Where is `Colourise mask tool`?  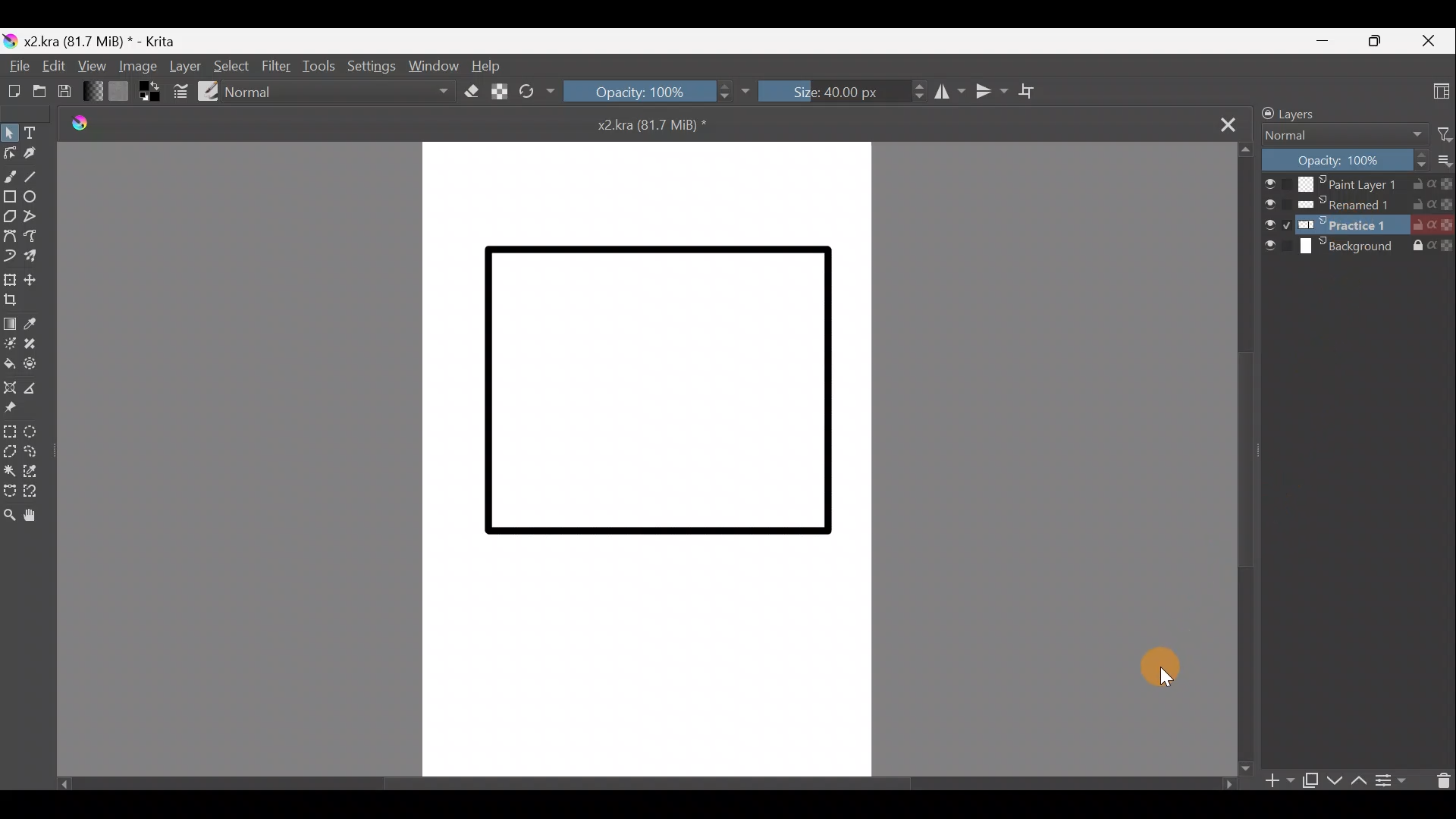 Colourise mask tool is located at coordinates (10, 345).